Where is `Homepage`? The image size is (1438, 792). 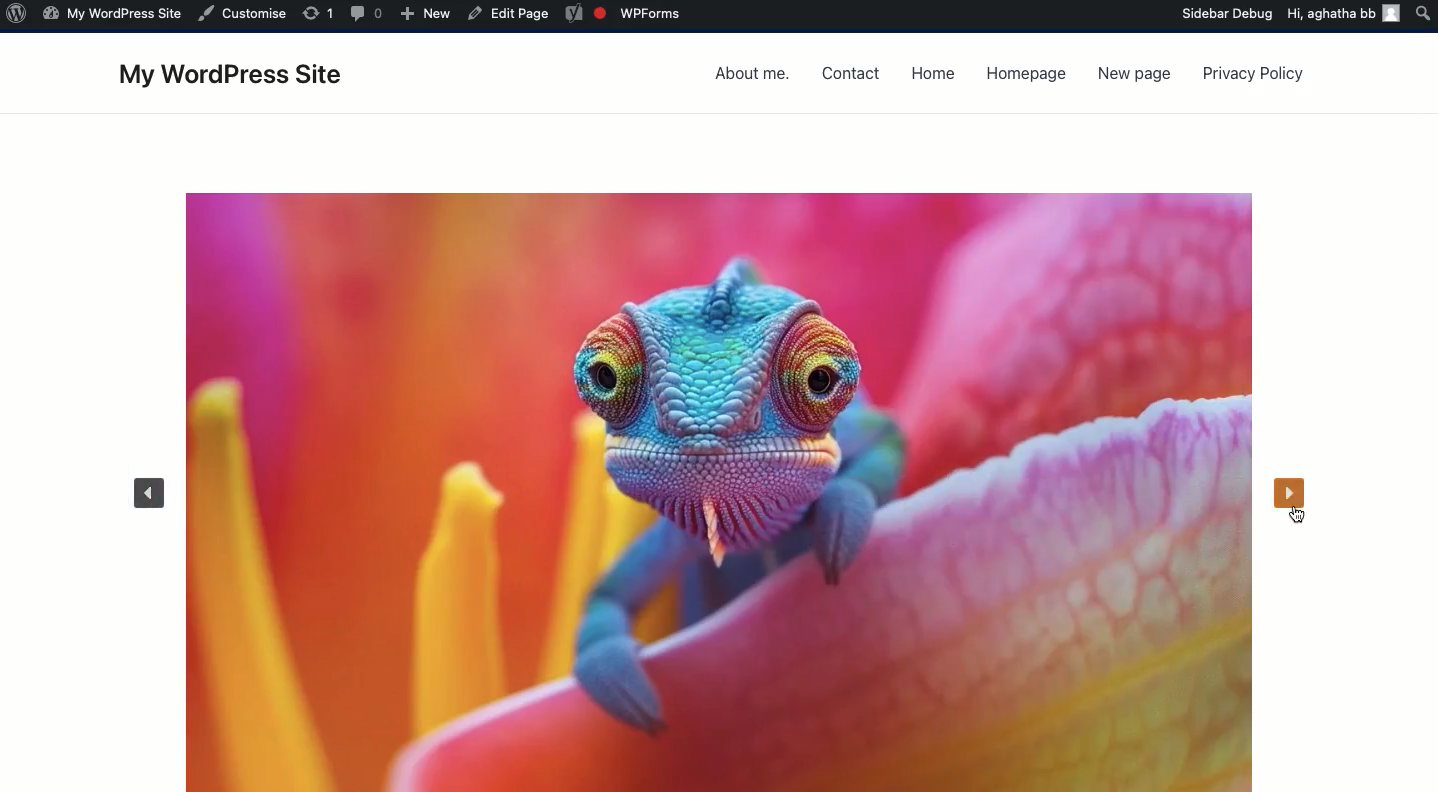 Homepage is located at coordinates (1026, 77).